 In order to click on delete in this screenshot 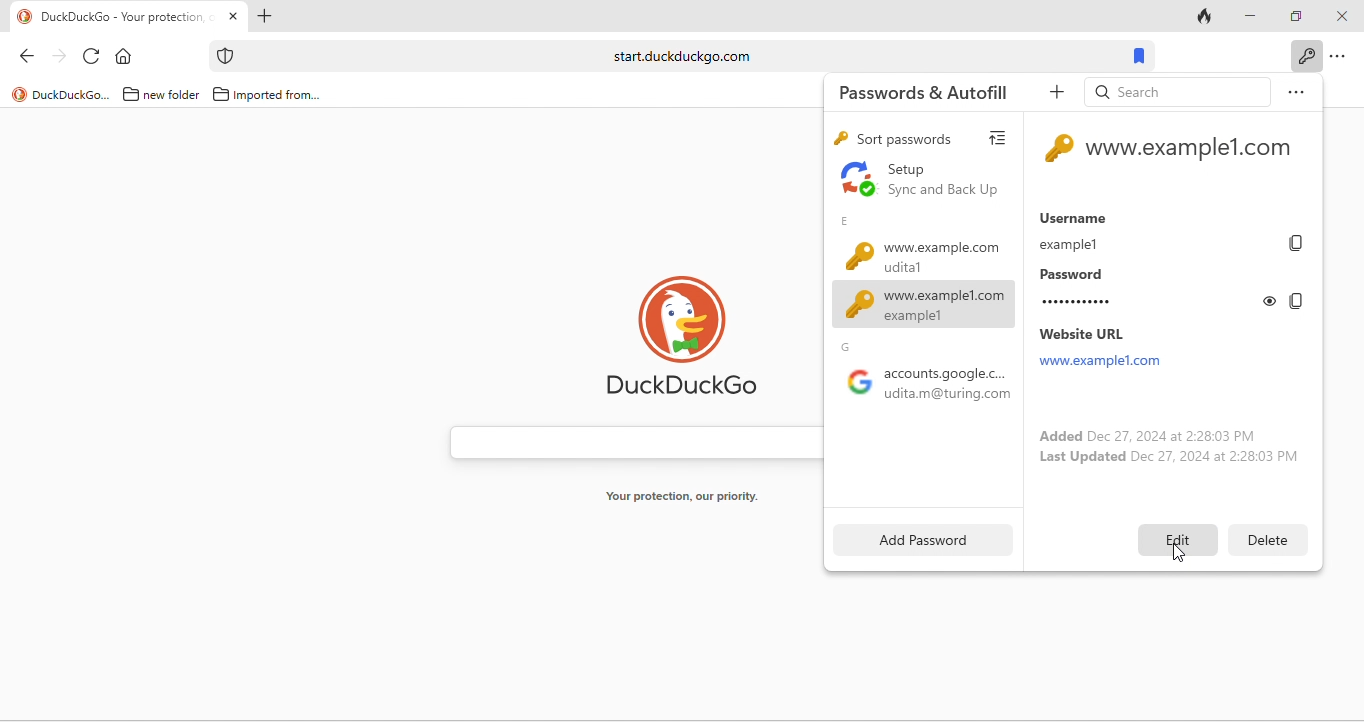, I will do `click(1266, 540)`.